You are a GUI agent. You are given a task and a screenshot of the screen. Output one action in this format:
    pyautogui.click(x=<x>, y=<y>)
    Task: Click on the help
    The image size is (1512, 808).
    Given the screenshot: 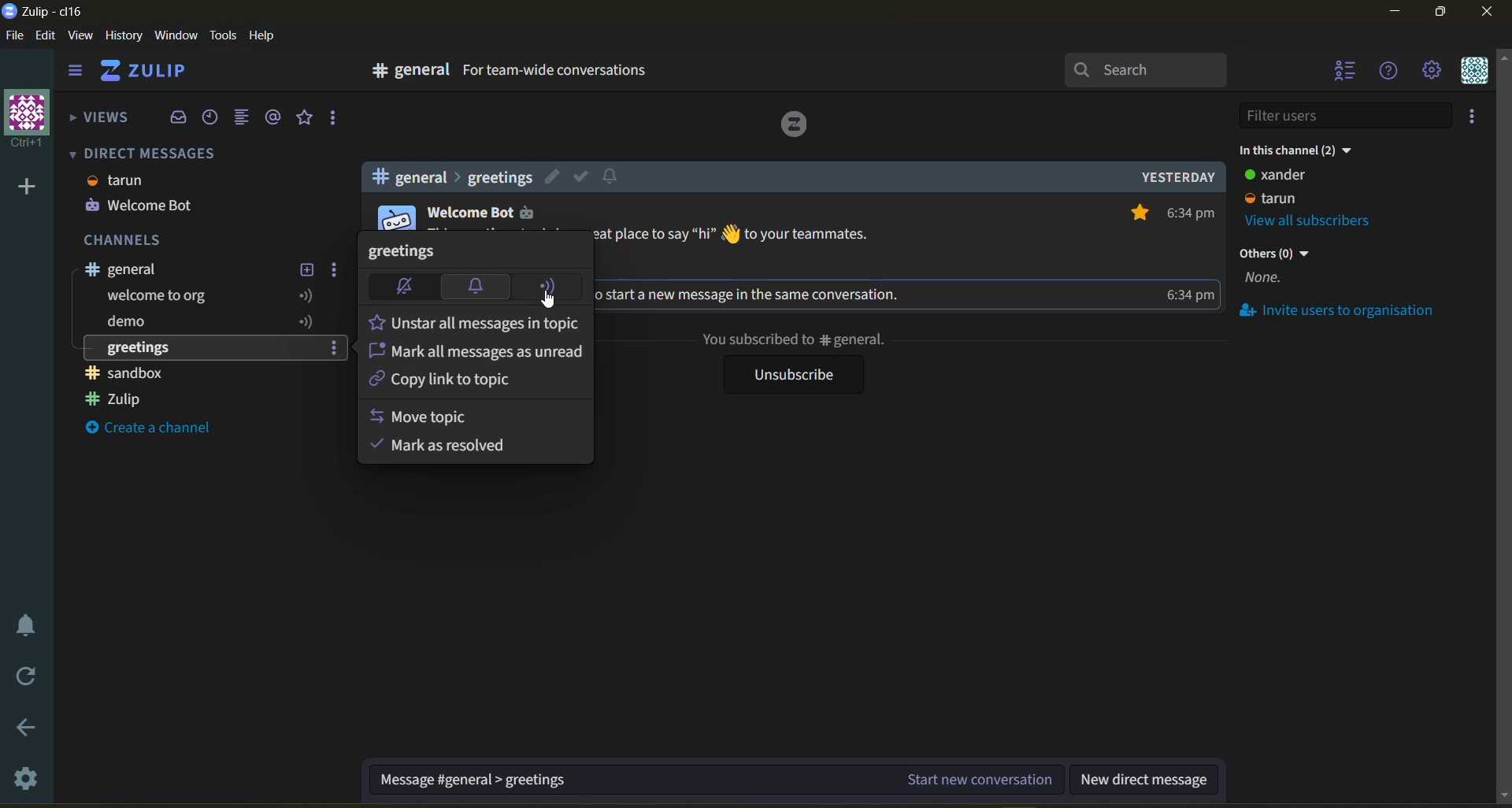 What is the action you would take?
    pyautogui.click(x=267, y=38)
    